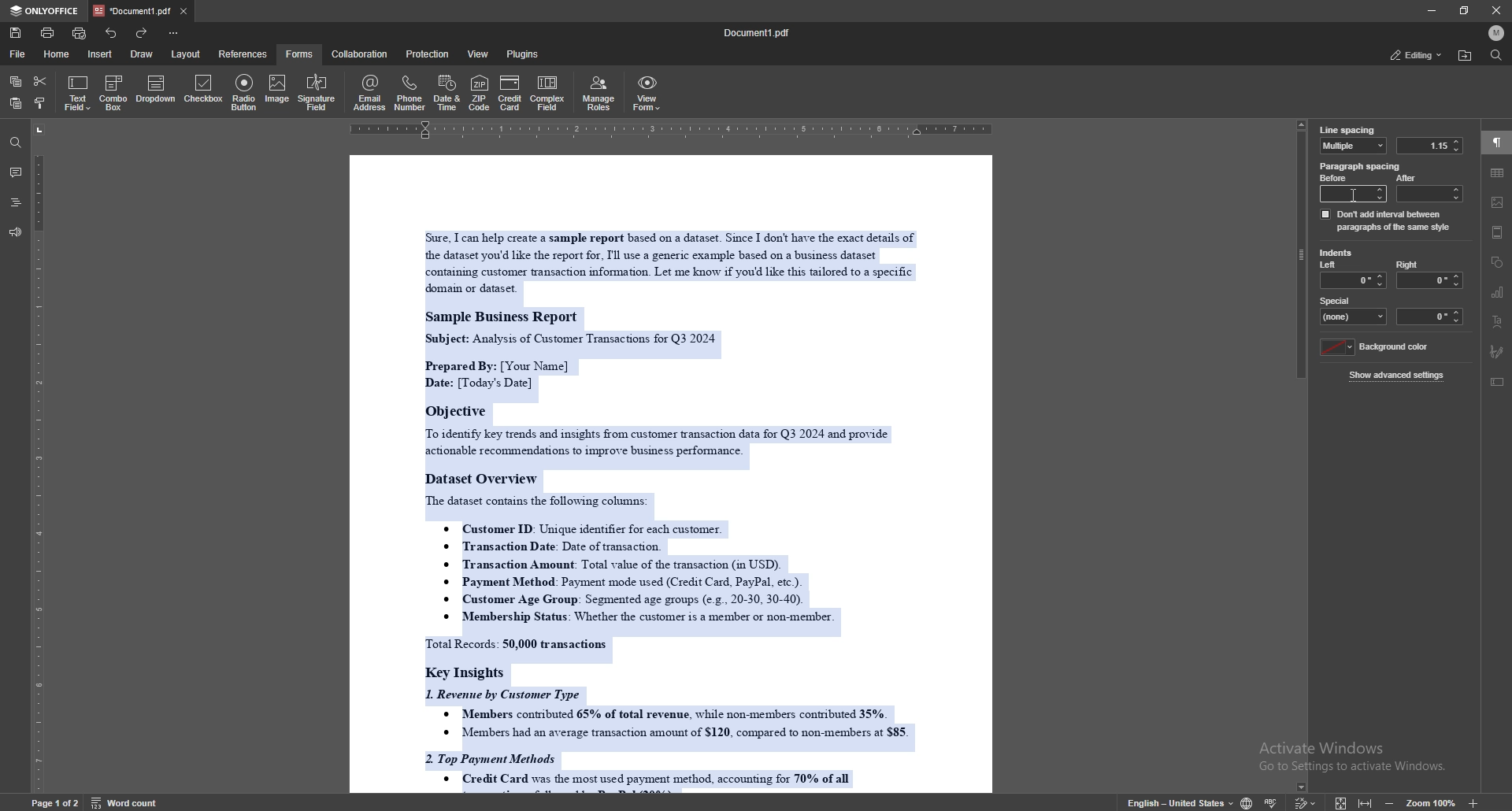 Image resolution: width=1512 pixels, height=811 pixels. Describe the element at coordinates (16, 143) in the screenshot. I see `find` at that location.